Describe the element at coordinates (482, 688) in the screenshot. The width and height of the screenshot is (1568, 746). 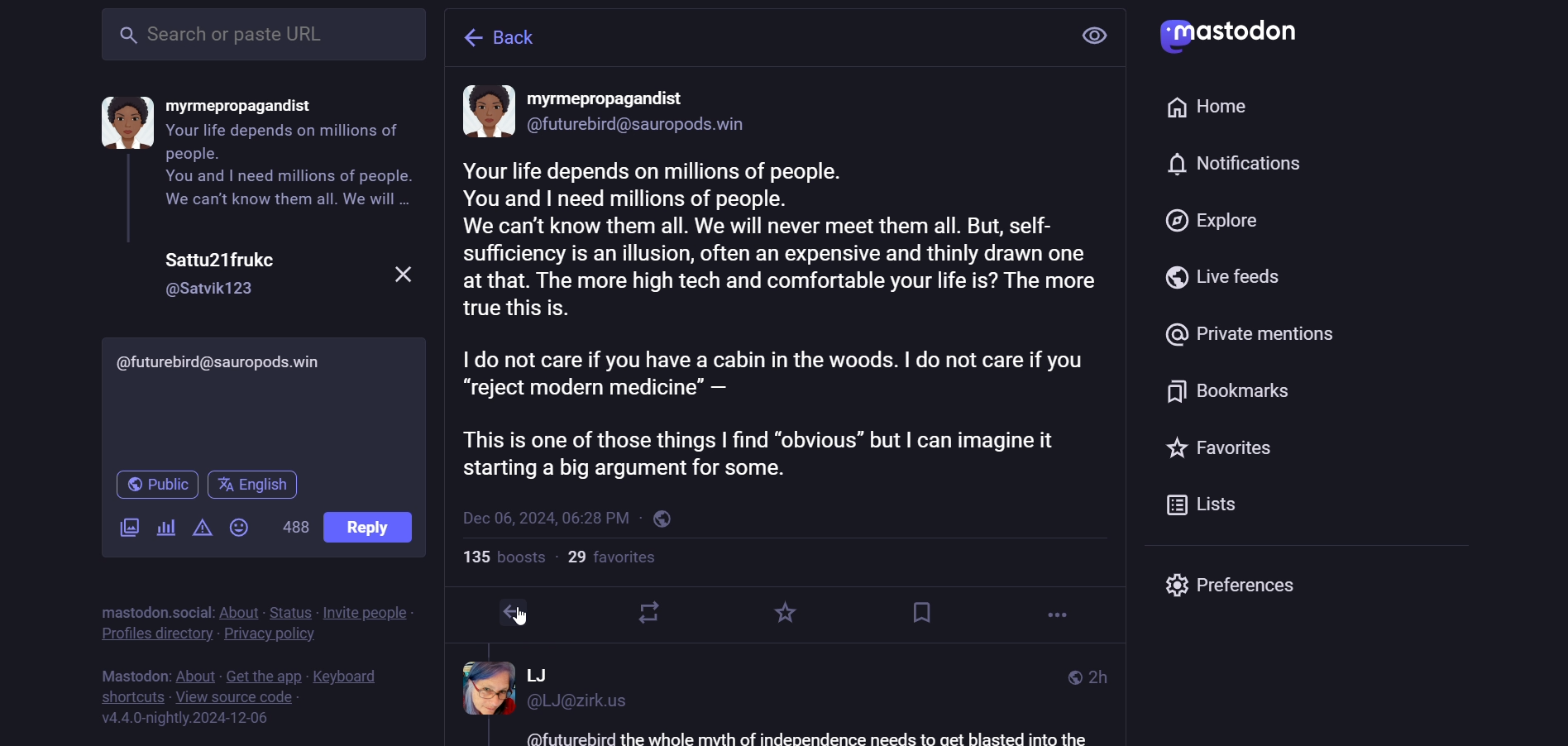
I see `display picture` at that location.